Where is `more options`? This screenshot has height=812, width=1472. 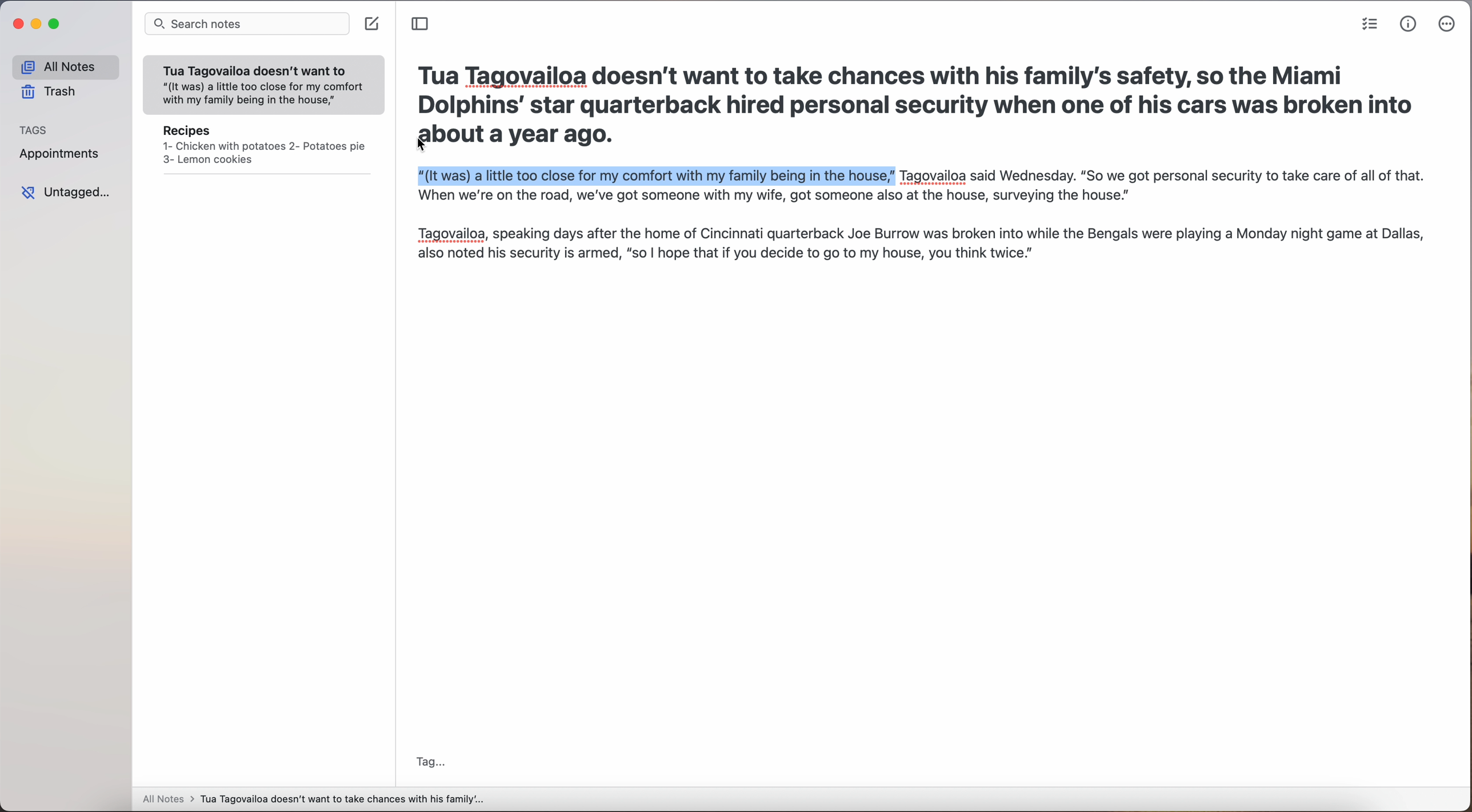 more options is located at coordinates (1448, 24).